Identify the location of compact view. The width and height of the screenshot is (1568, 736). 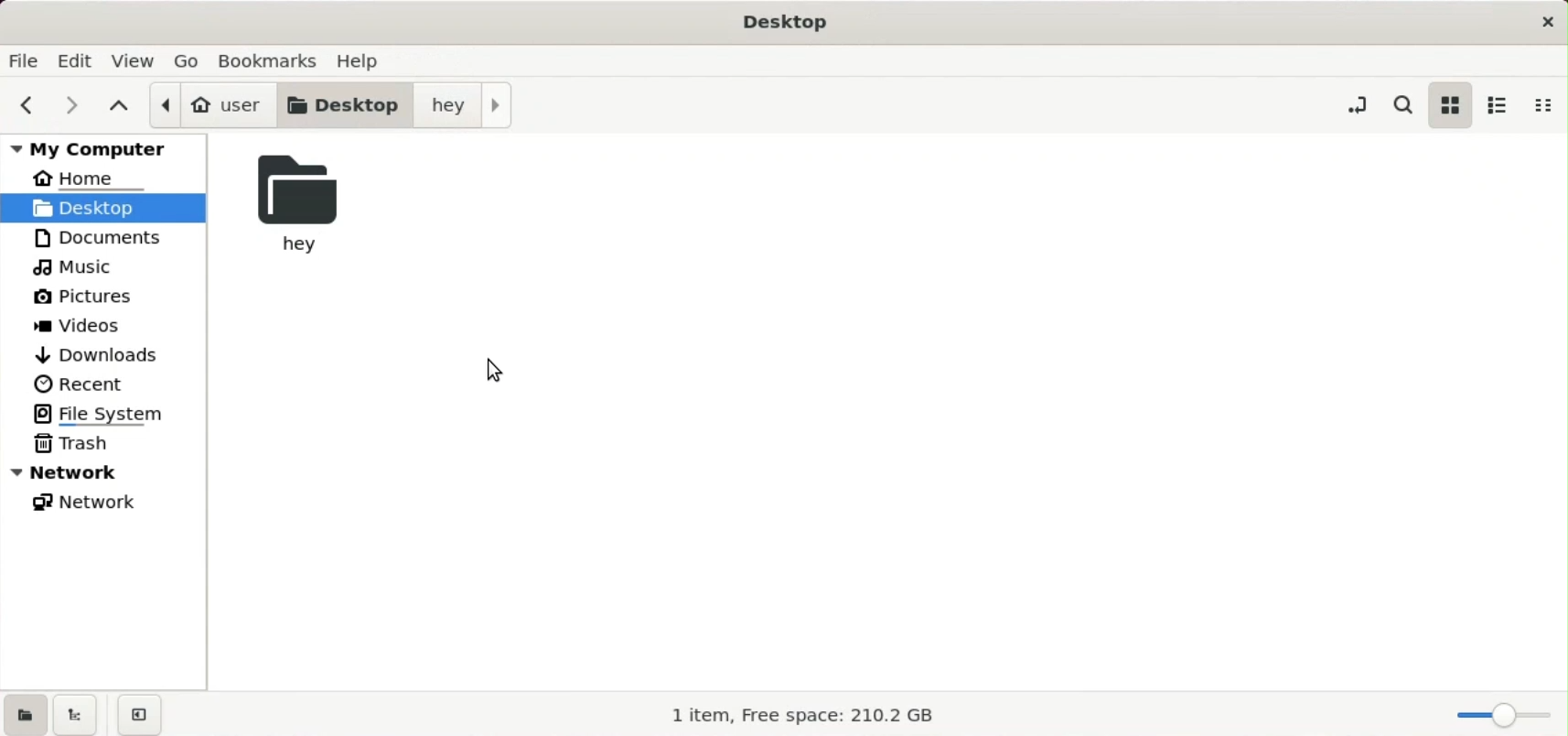
(1541, 104).